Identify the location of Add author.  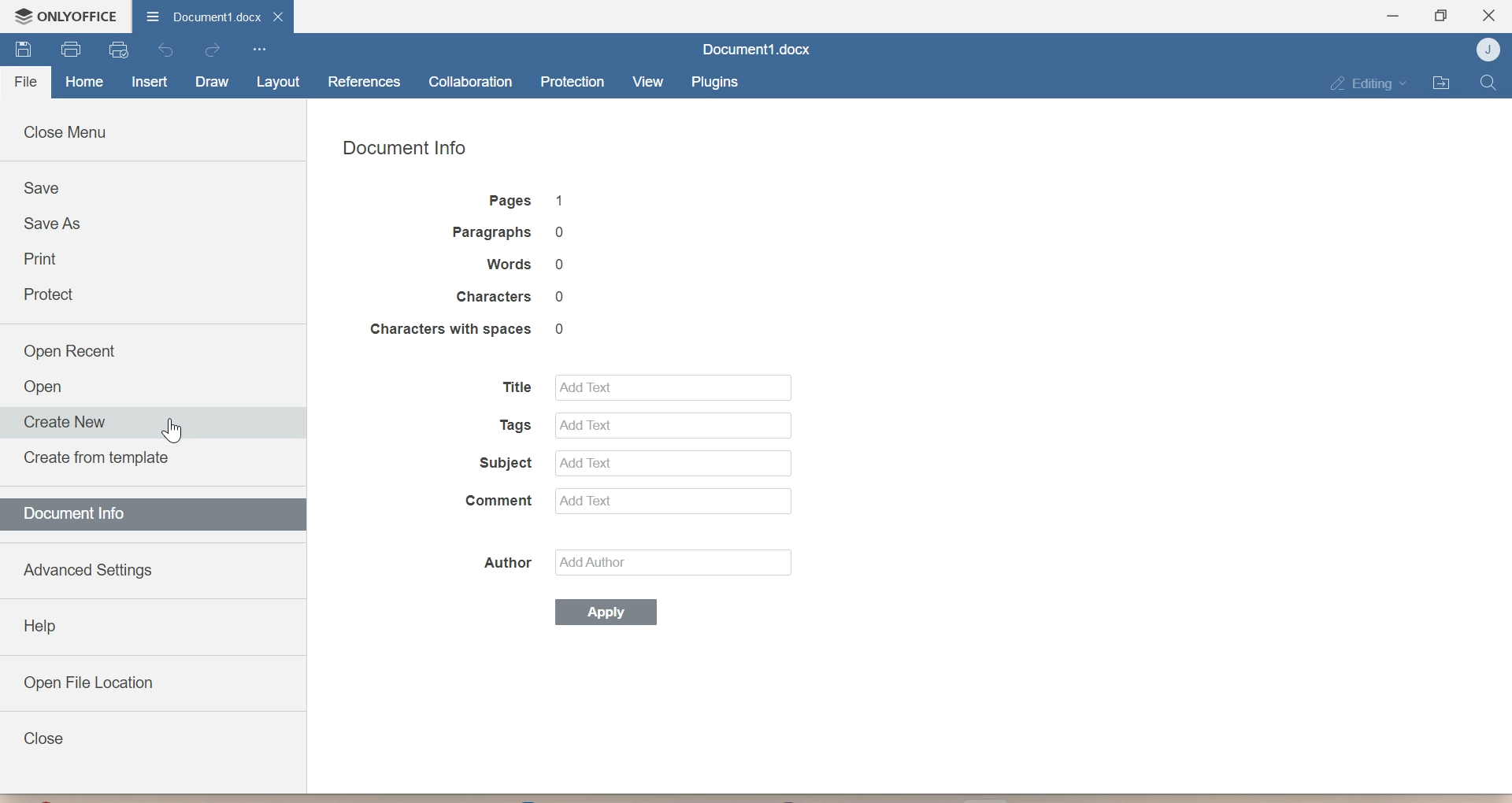
(680, 562).